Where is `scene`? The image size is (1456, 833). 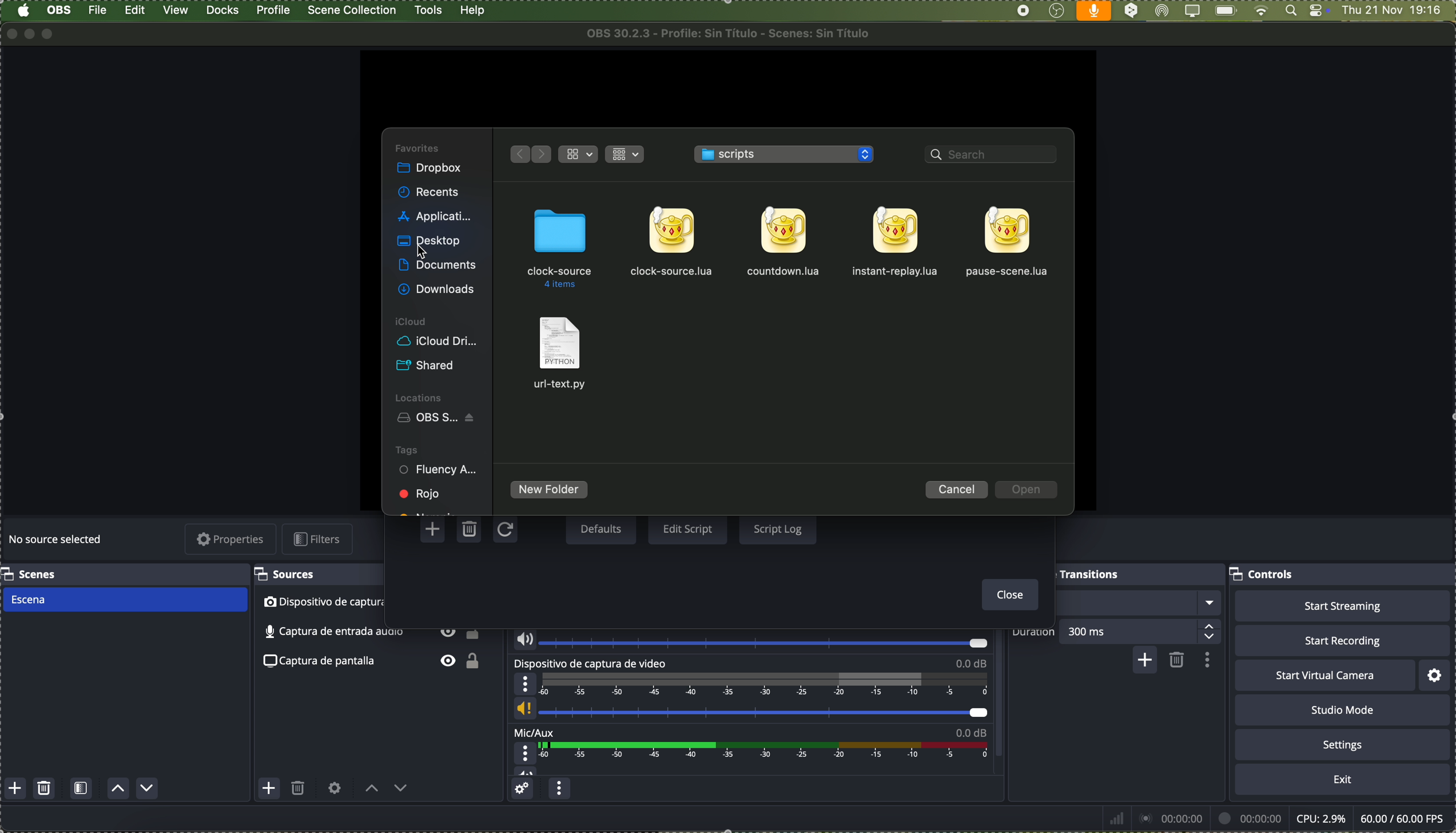
scene is located at coordinates (124, 600).